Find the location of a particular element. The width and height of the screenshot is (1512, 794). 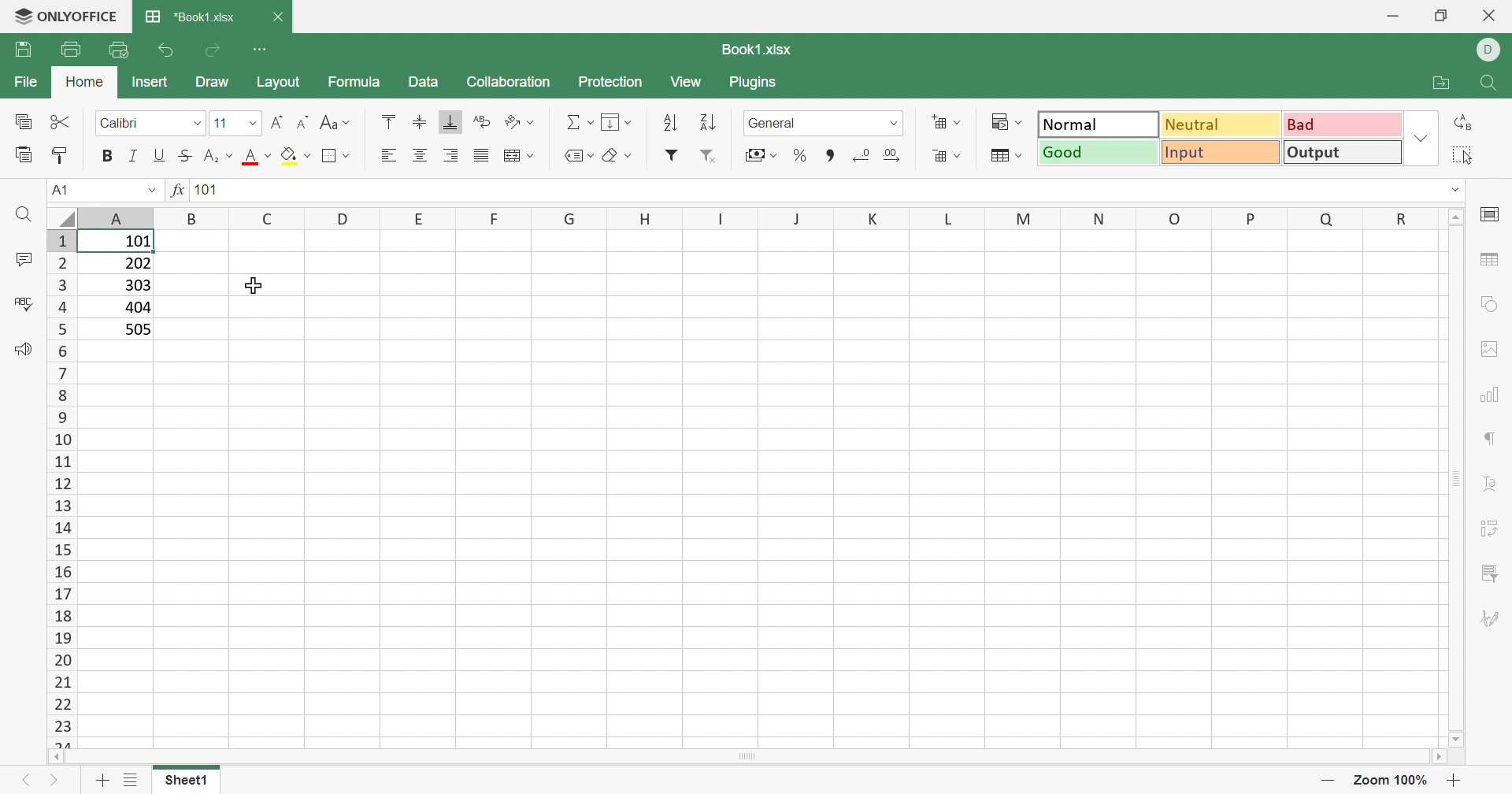

Orientation is located at coordinates (521, 121).